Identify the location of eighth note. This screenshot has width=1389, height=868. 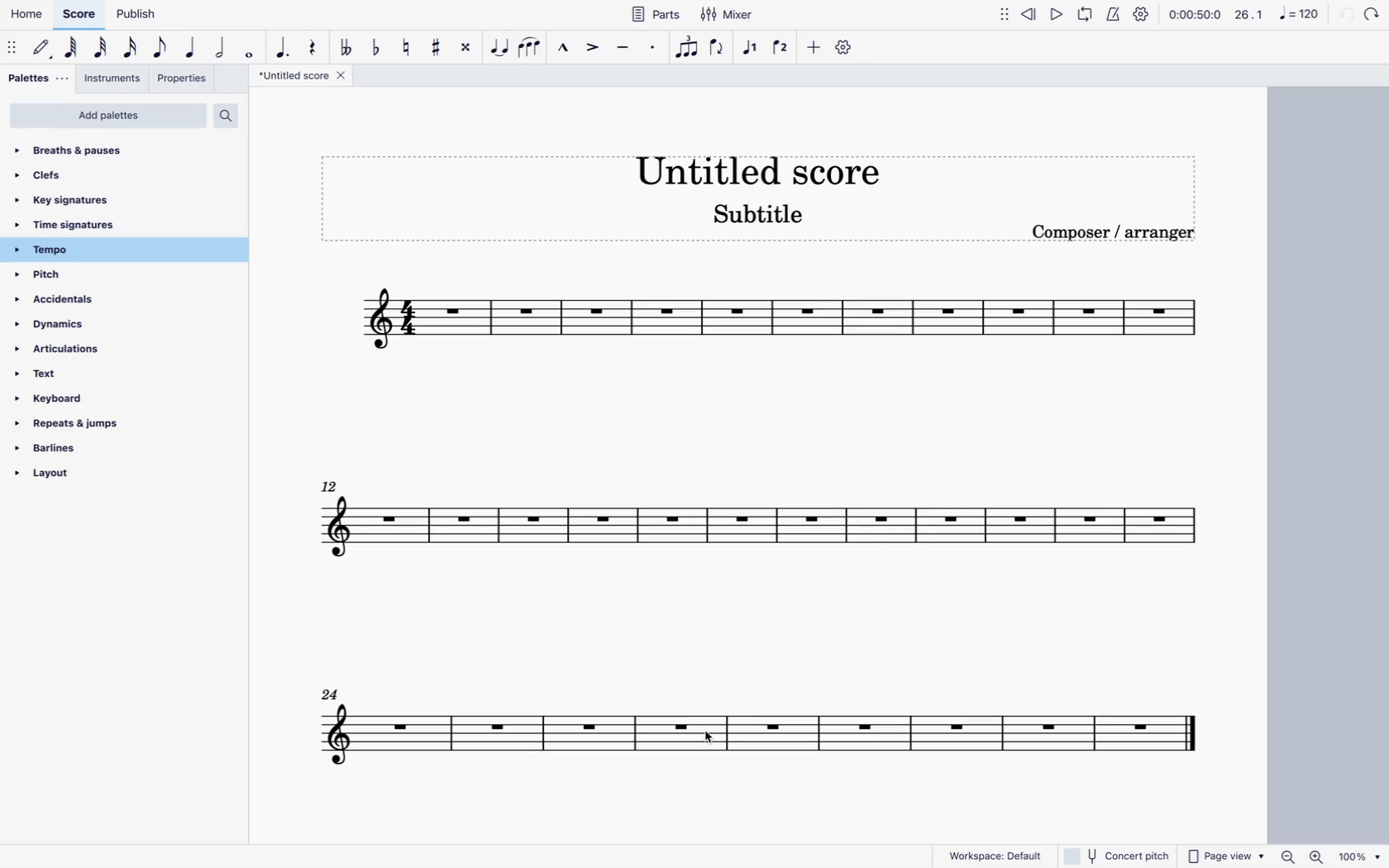
(161, 48).